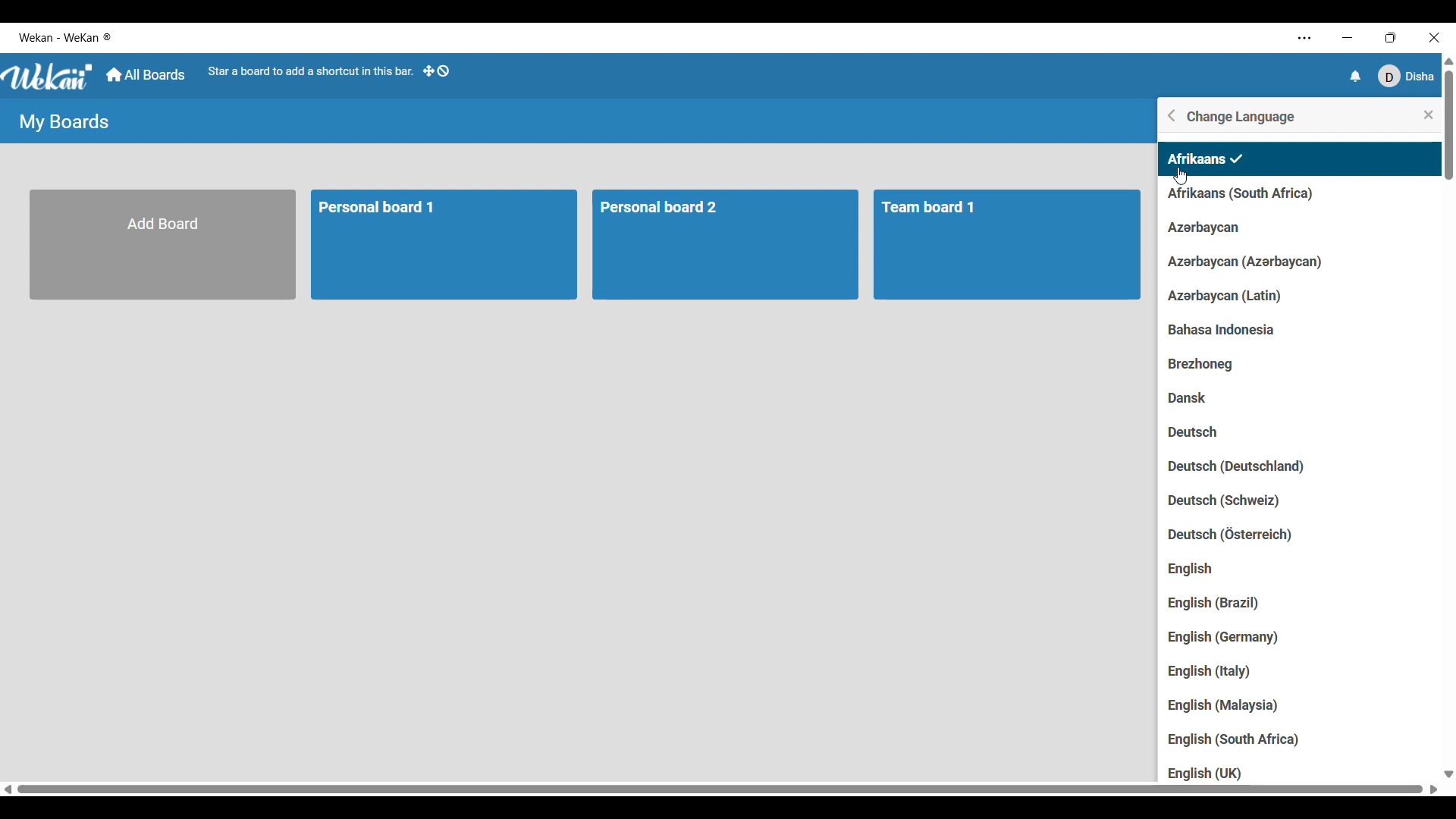 The image size is (1456, 819). Describe the element at coordinates (145, 75) in the screenshot. I see `all-boards` at that location.